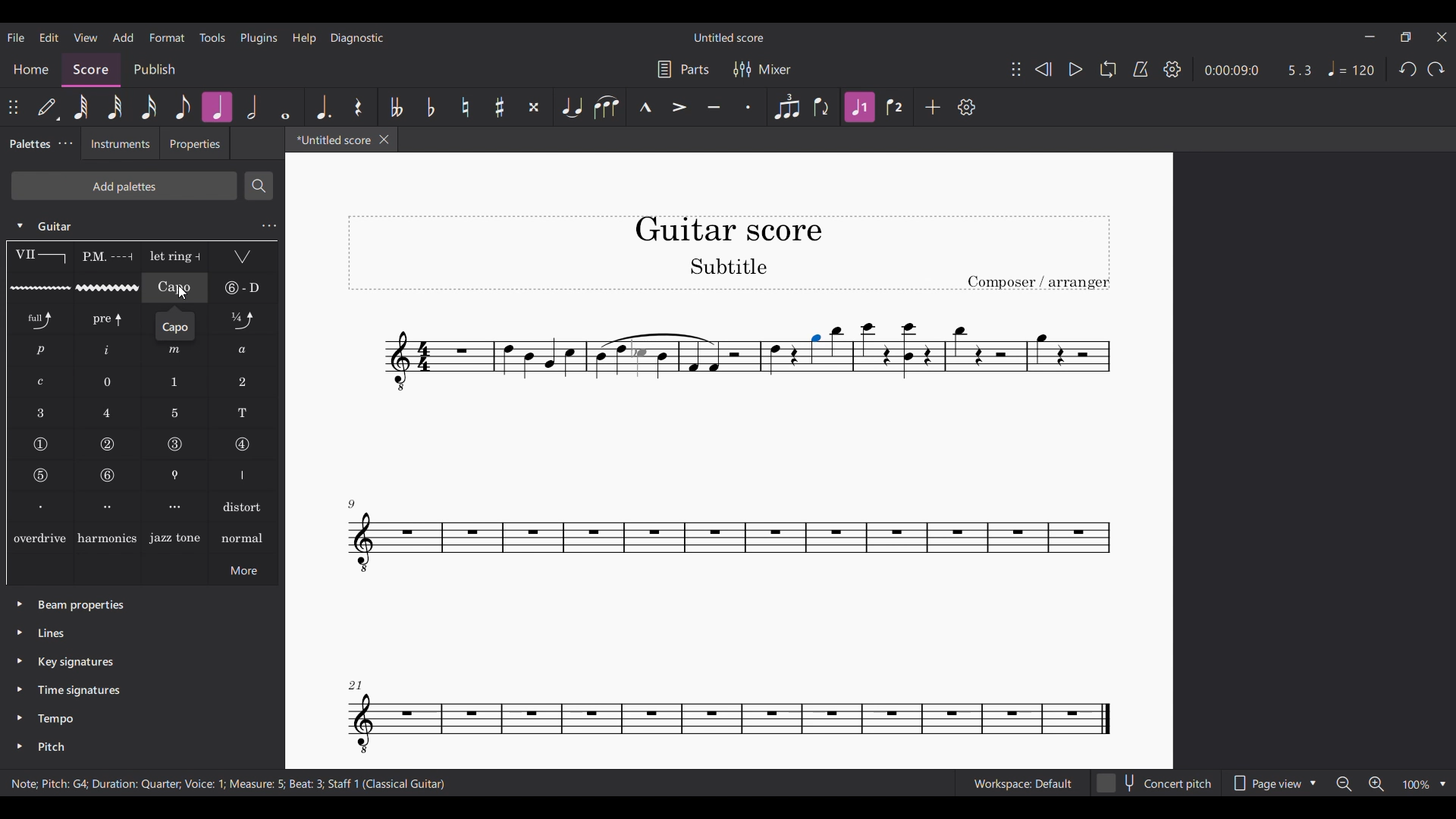 The image size is (1456, 819). I want to click on LH guitar fingering 0, so click(108, 381).